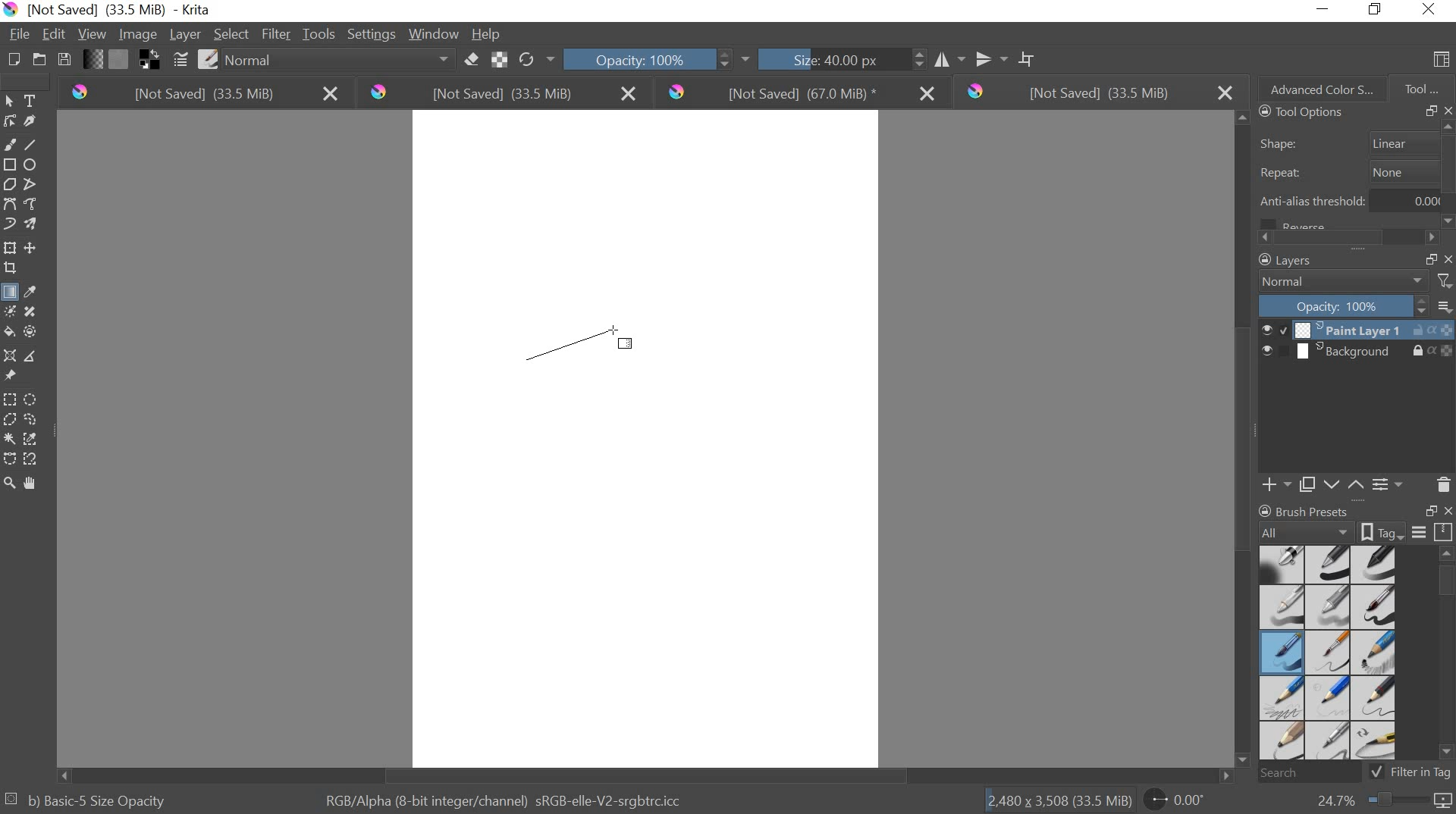  Describe the element at coordinates (95, 61) in the screenshot. I see `FILL GRADIENTS` at that location.